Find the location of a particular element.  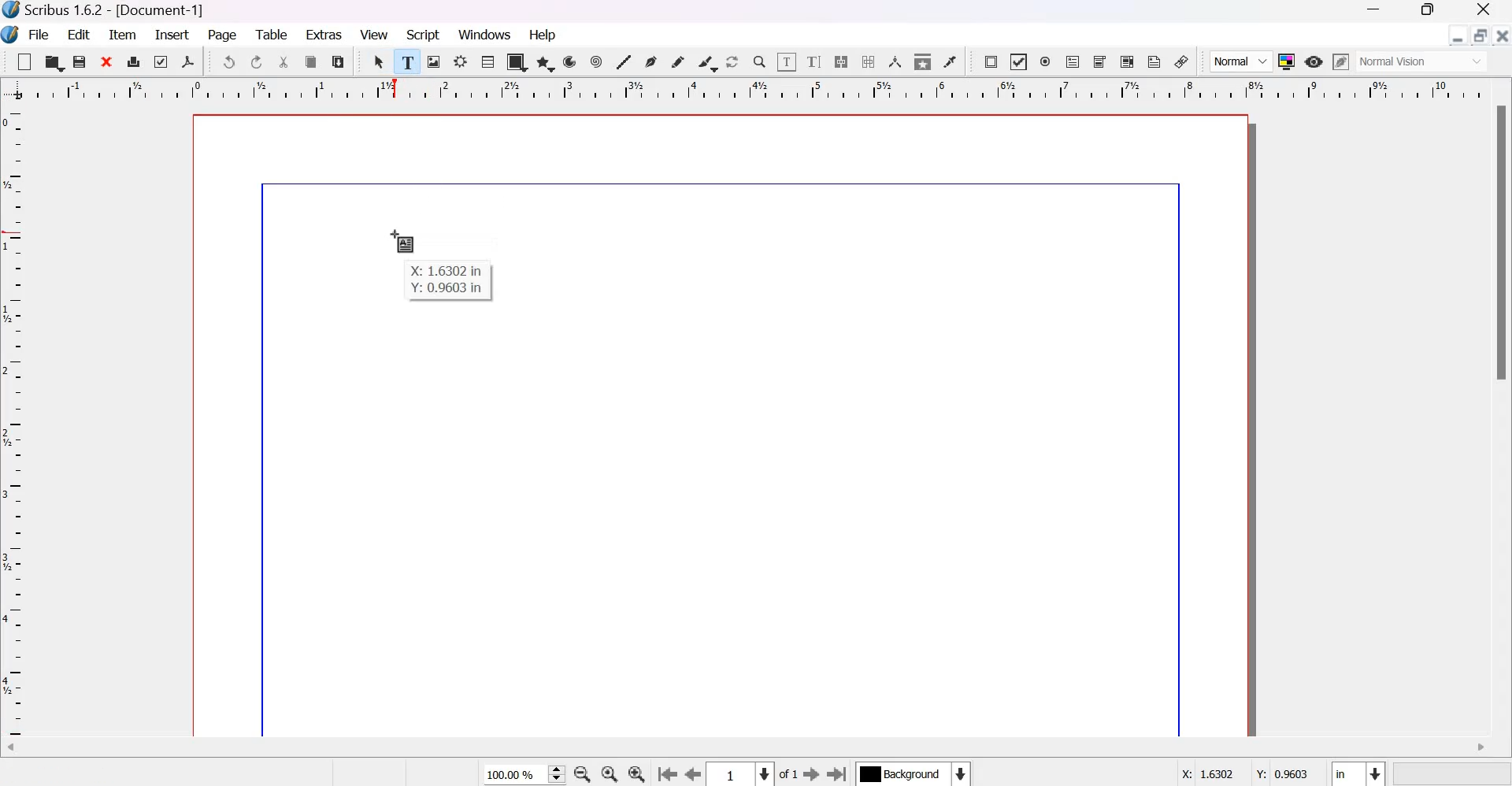

close is located at coordinates (108, 61).